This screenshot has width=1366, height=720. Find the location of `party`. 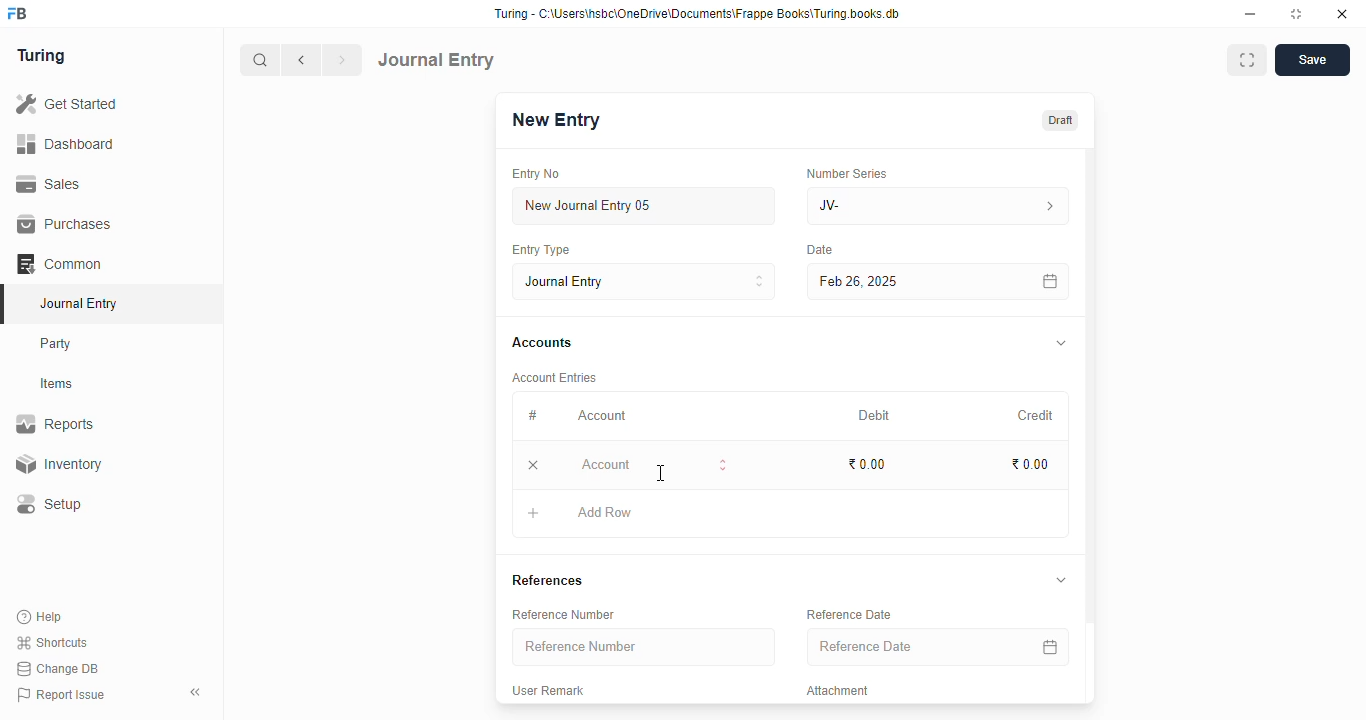

party is located at coordinates (58, 344).